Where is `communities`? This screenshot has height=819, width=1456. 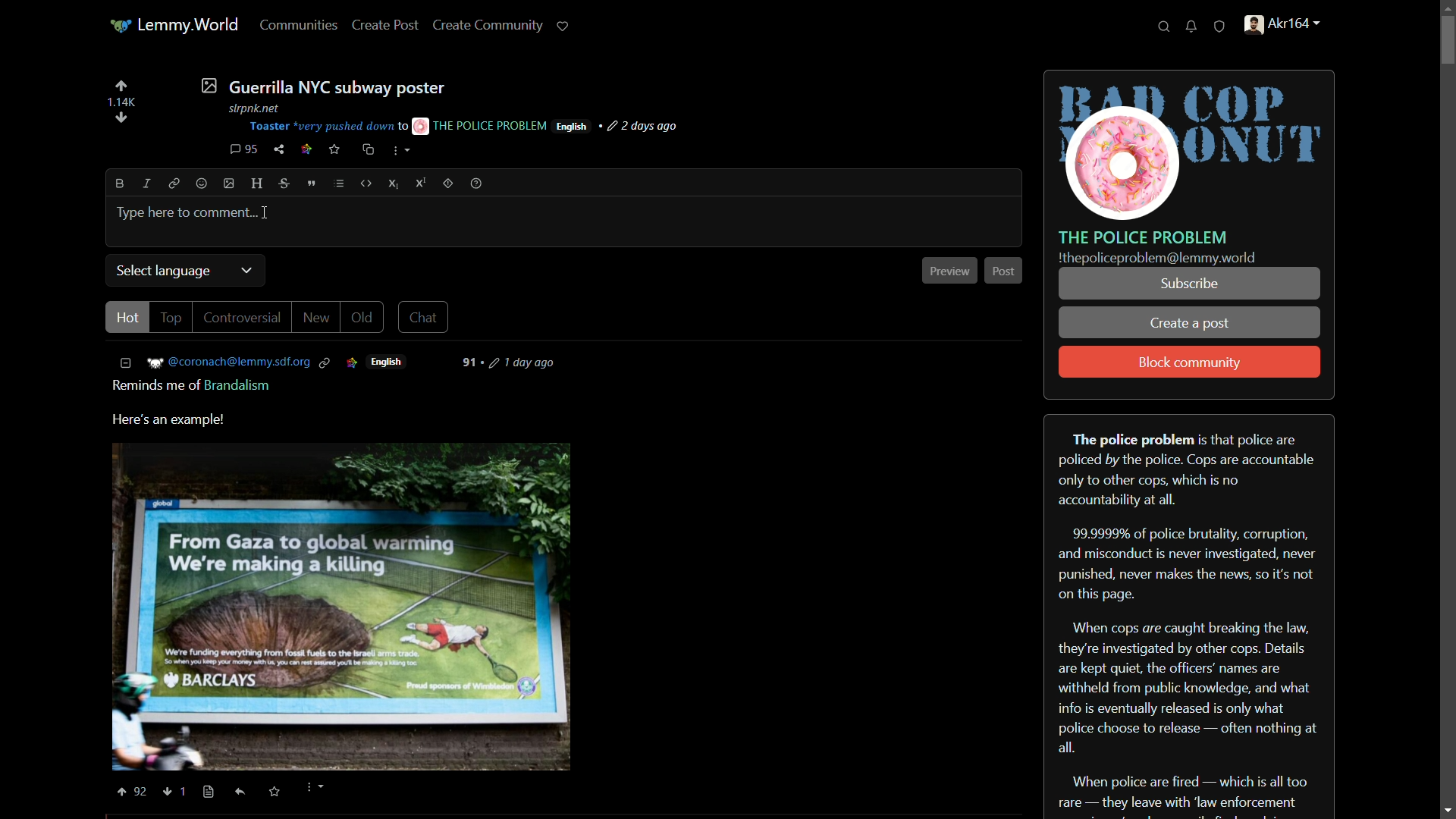
communities is located at coordinates (299, 26).